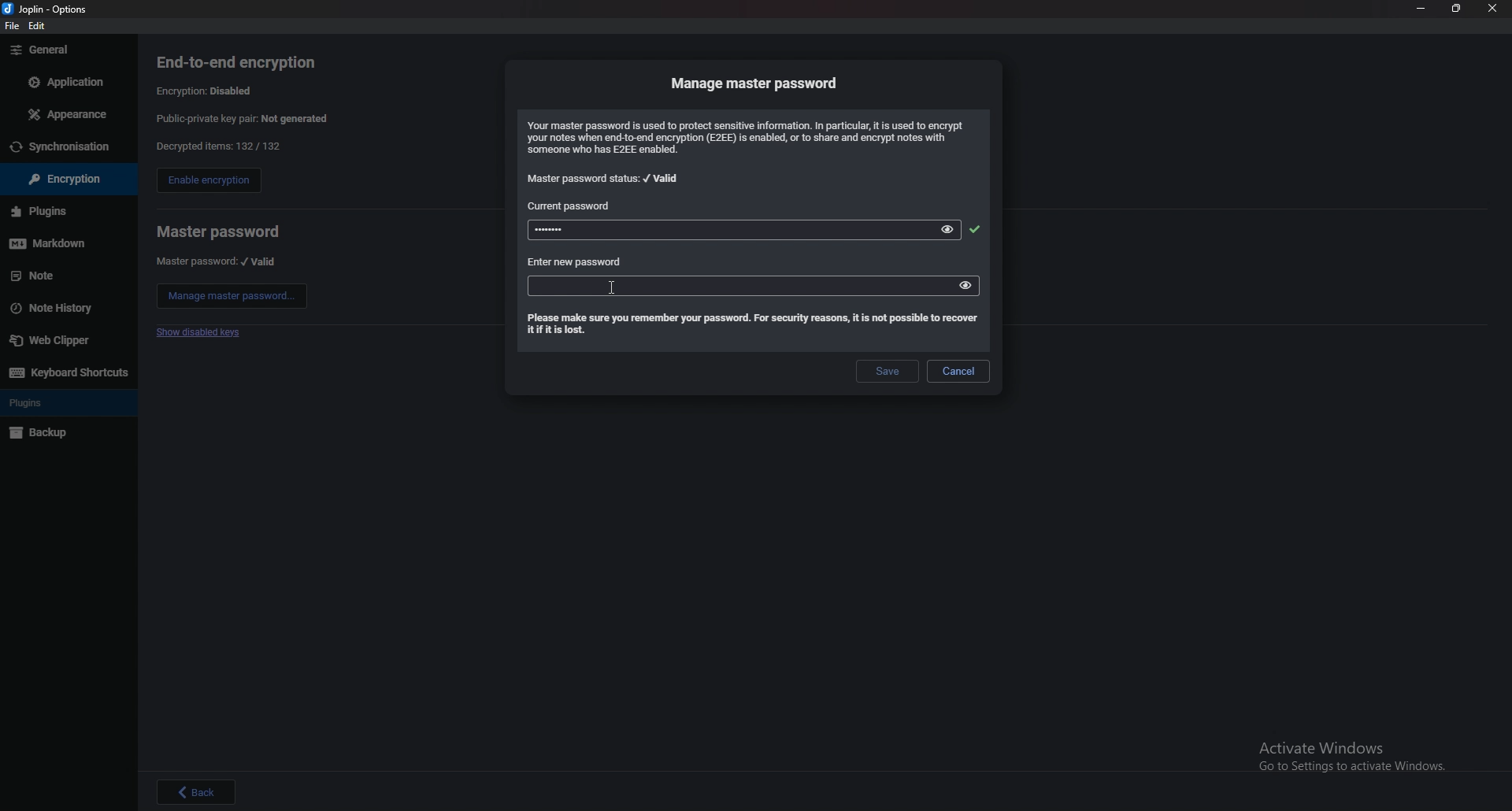 The height and width of the screenshot is (811, 1512). Describe the element at coordinates (64, 80) in the screenshot. I see `application` at that location.